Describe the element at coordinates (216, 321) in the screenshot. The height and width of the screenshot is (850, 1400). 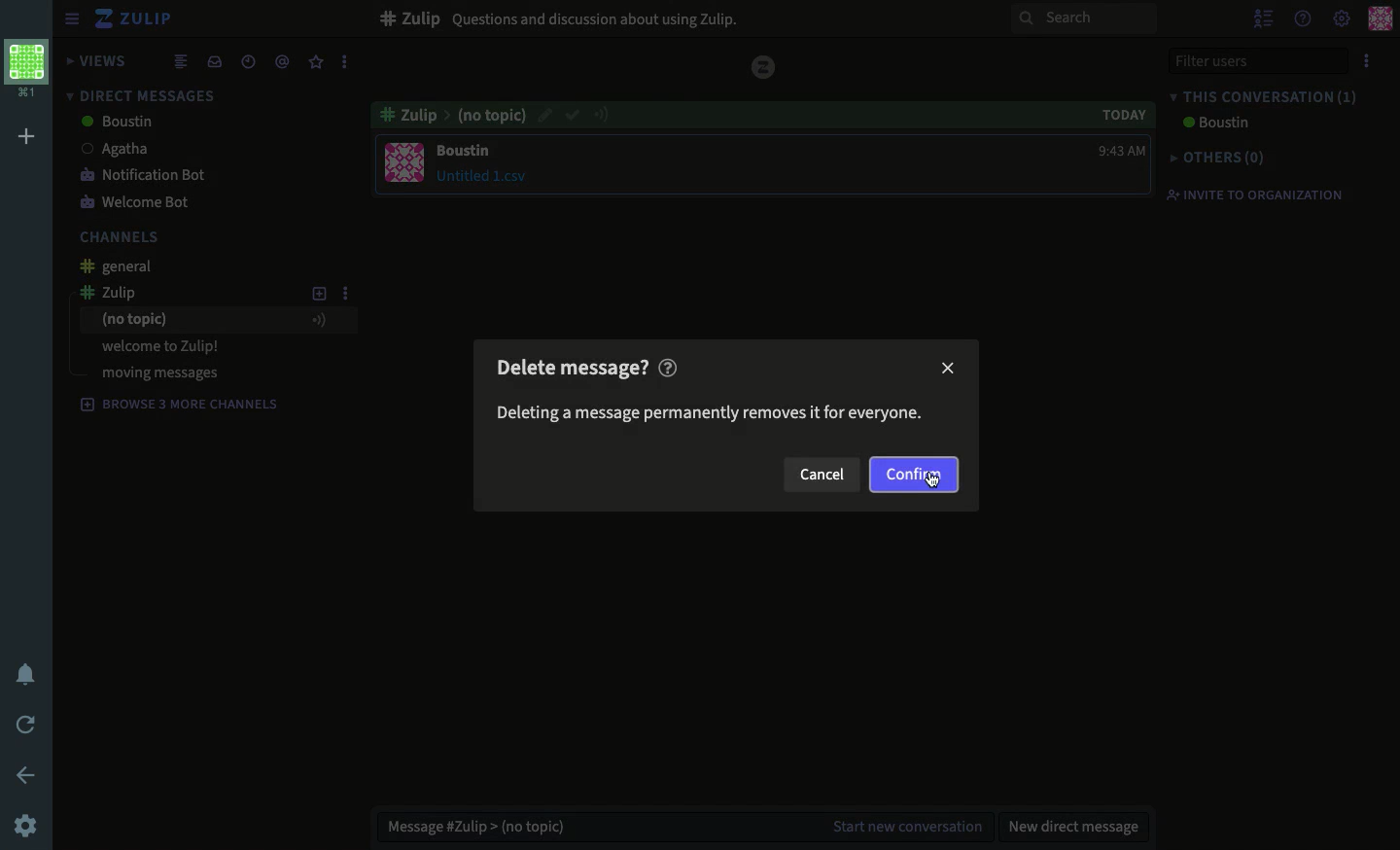
I see `no topic` at that location.